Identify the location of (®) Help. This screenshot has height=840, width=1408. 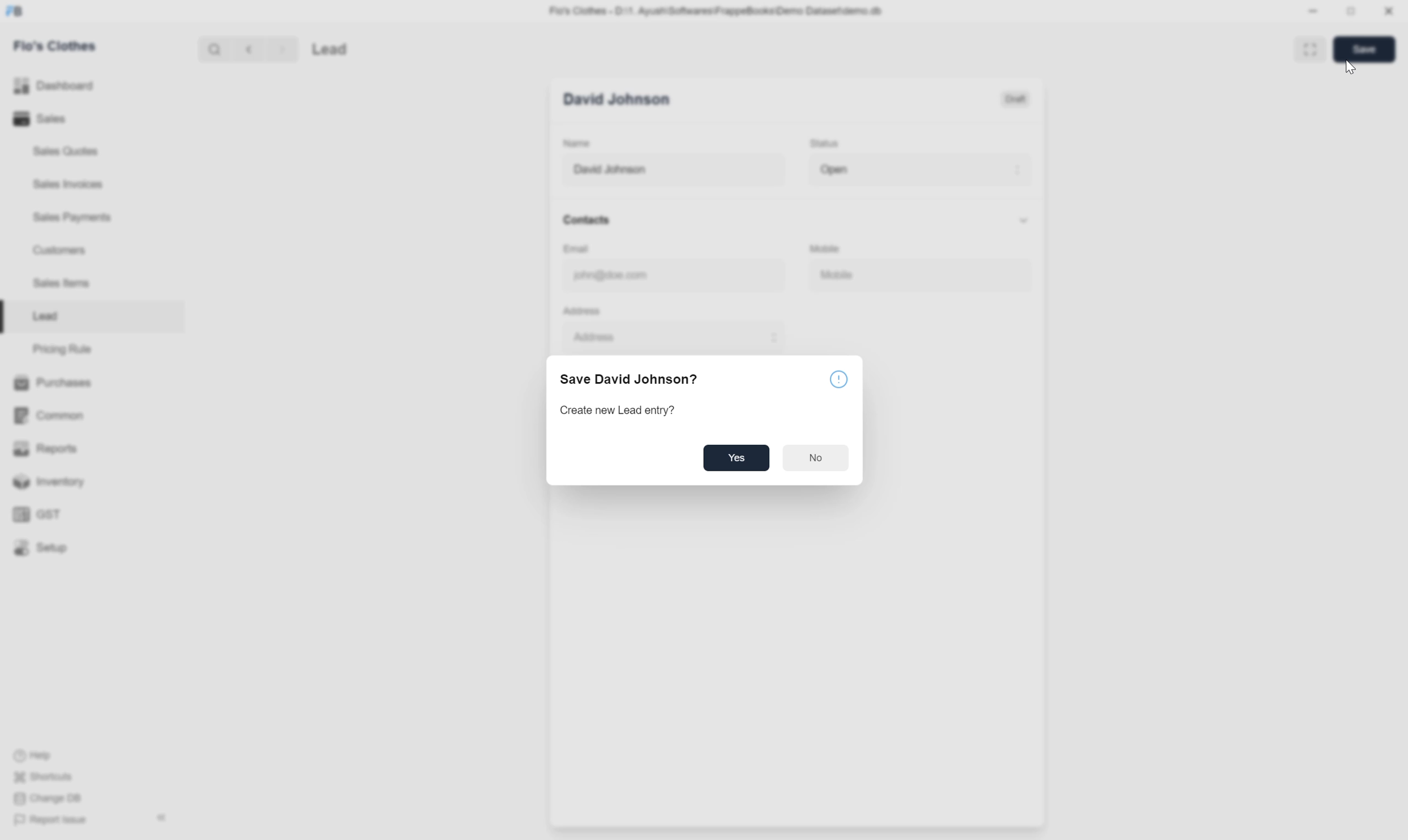
(40, 753).